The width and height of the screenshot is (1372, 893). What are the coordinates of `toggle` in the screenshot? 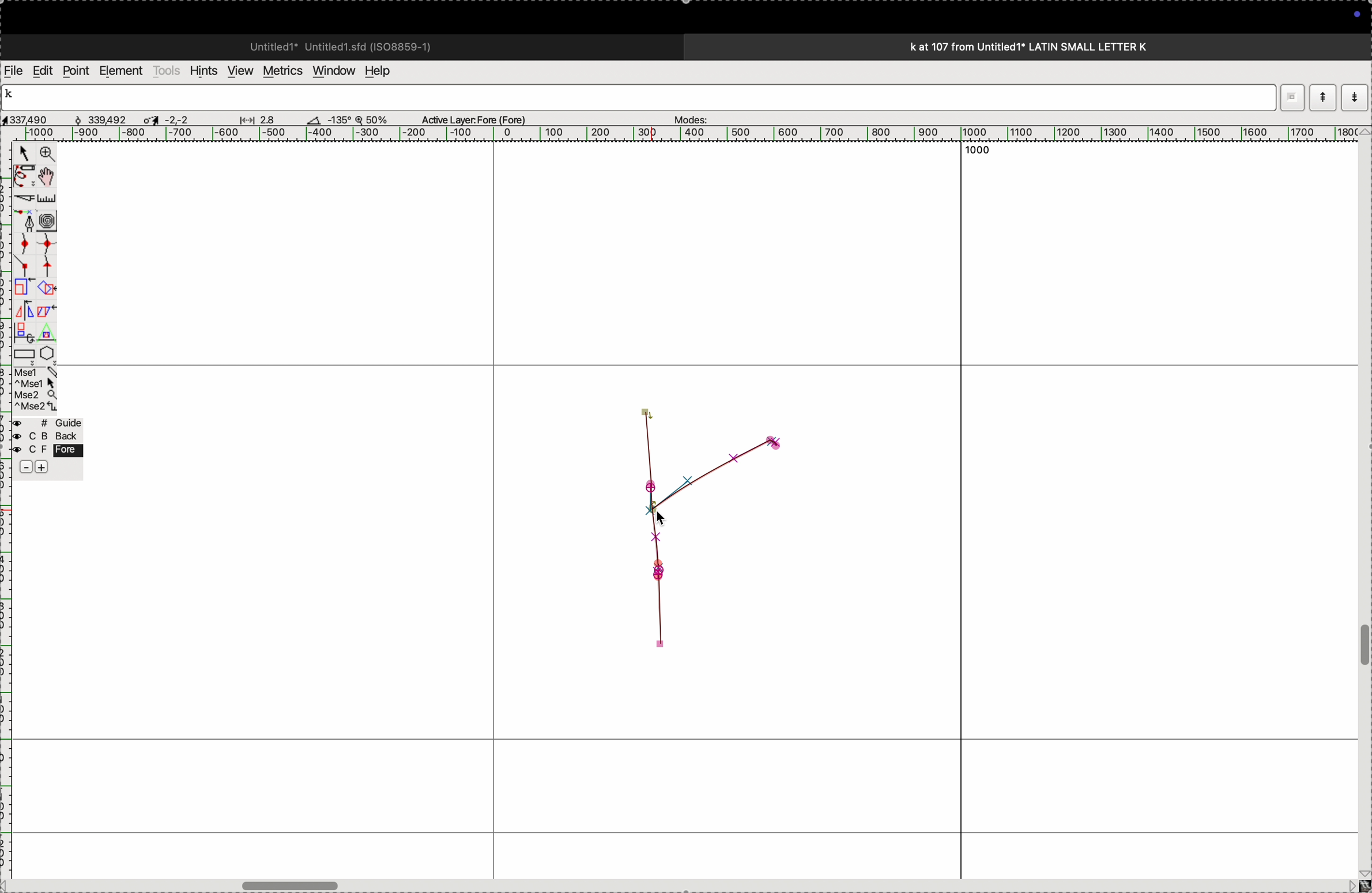 It's located at (1363, 646).